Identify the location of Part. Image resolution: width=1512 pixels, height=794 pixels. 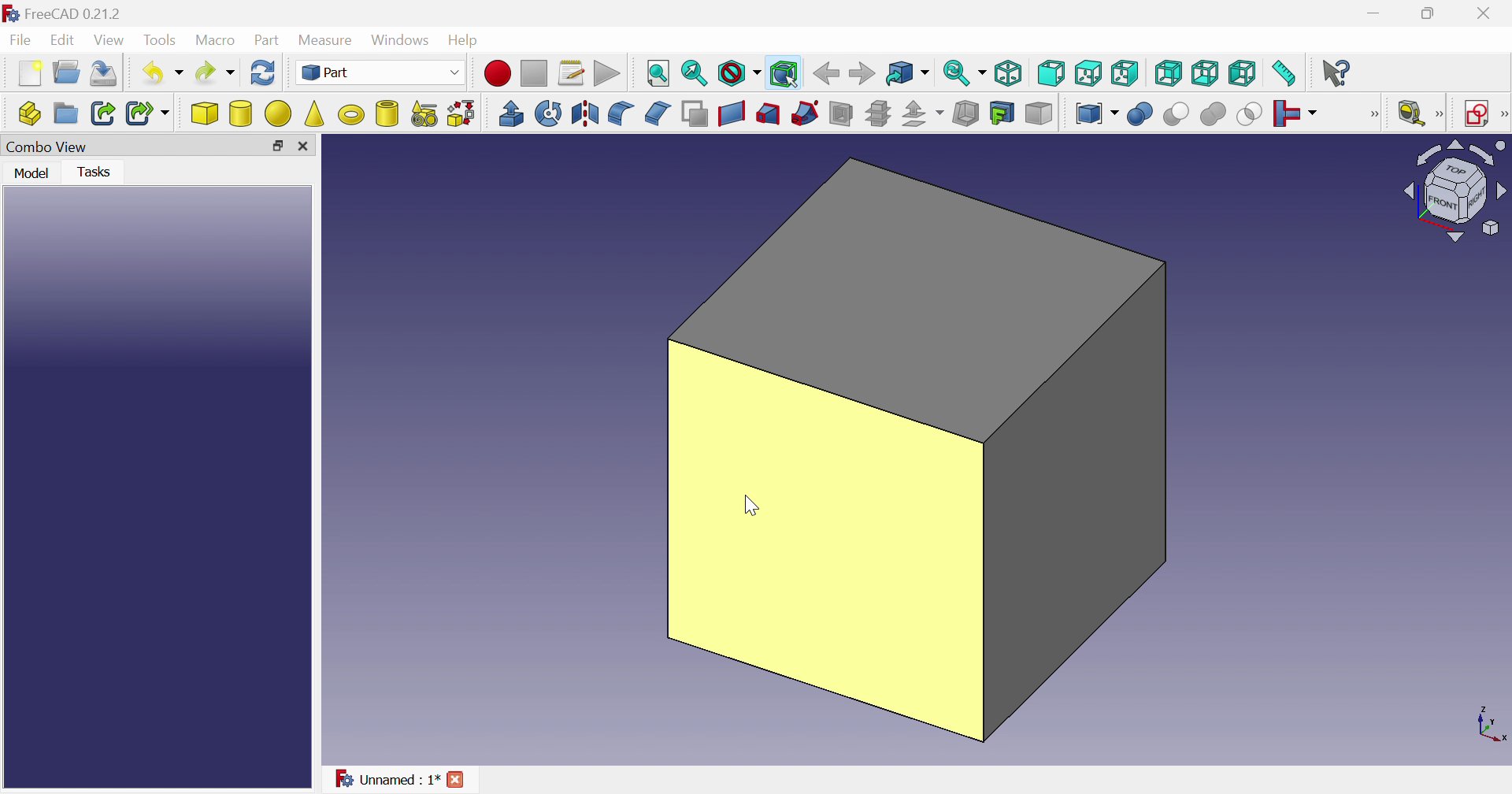
(267, 42).